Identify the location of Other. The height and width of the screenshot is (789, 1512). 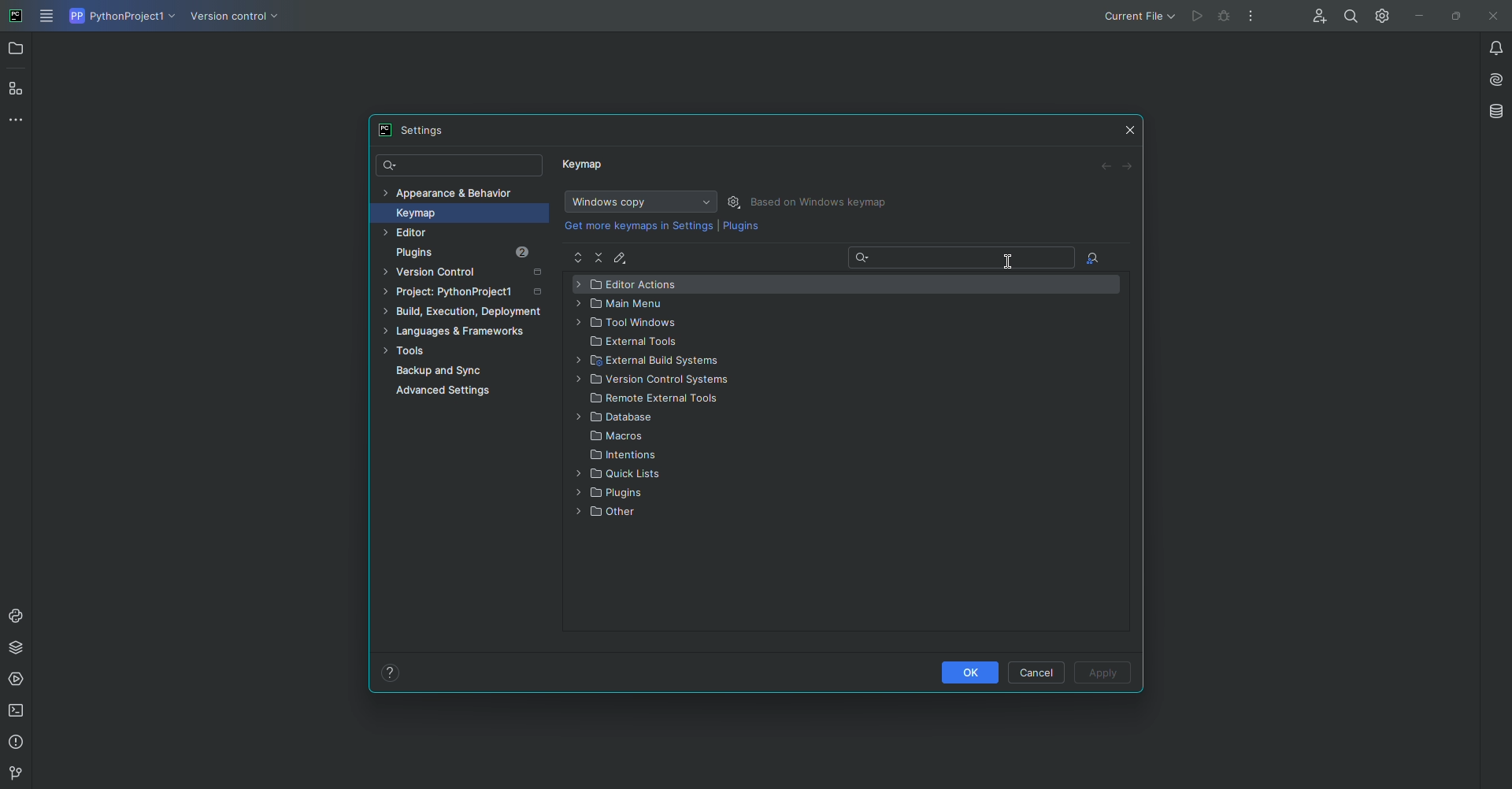
(608, 515).